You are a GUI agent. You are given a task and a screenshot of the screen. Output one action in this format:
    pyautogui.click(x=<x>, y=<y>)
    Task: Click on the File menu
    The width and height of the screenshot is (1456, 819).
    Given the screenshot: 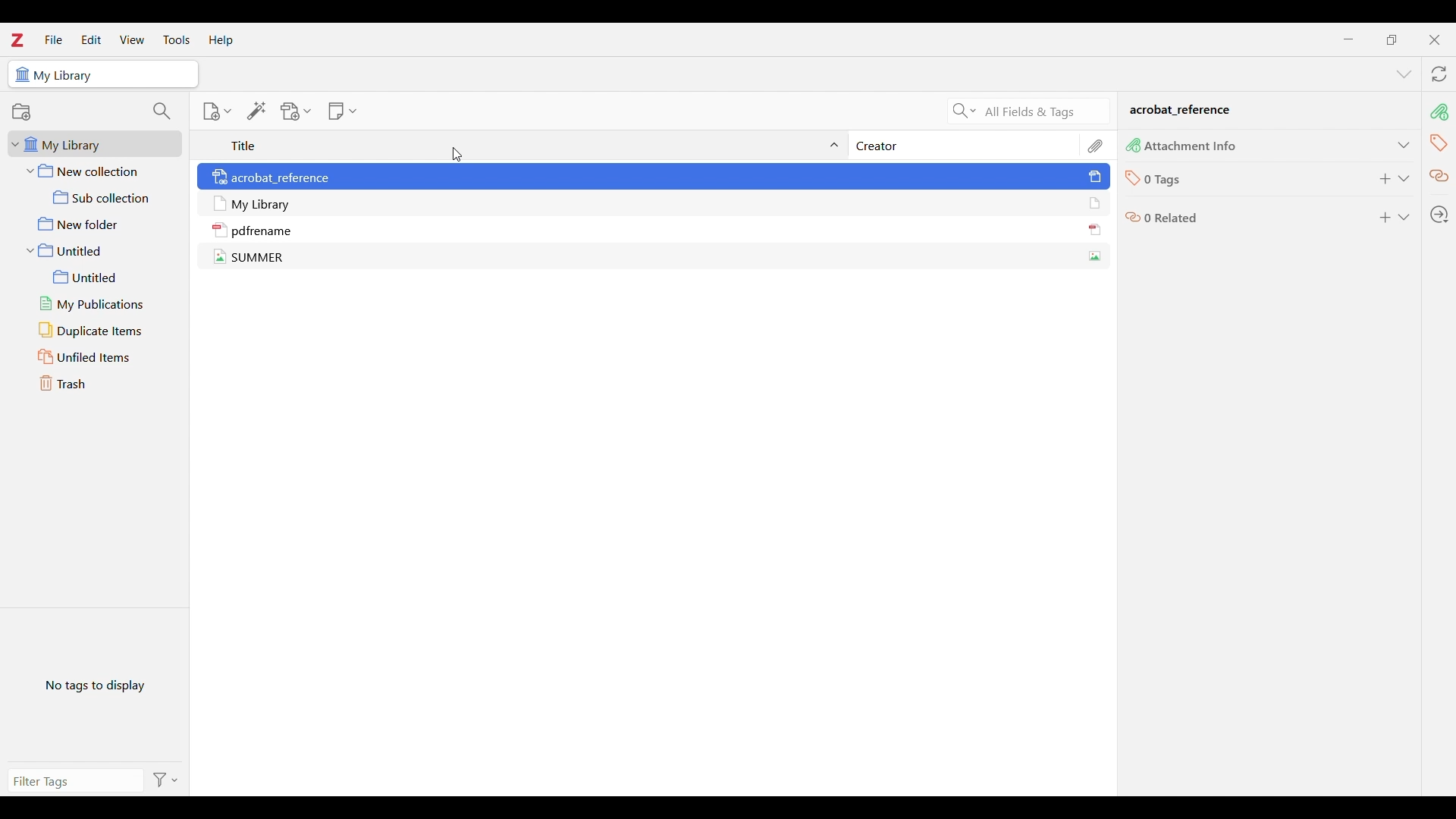 What is the action you would take?
    pyautogui.click(x=54, y=39)
    